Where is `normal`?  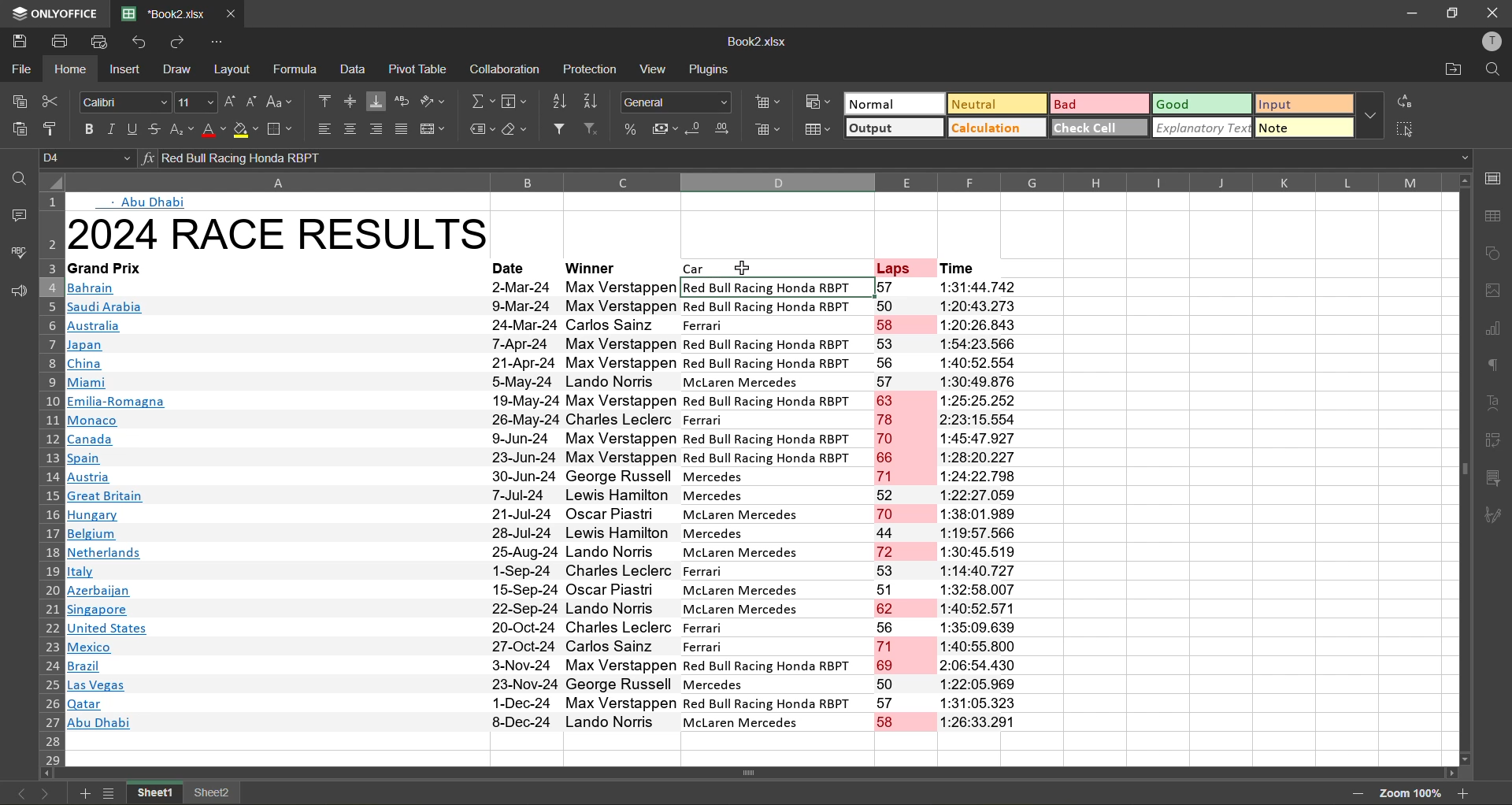
normal is located at coordinates (895, 102).